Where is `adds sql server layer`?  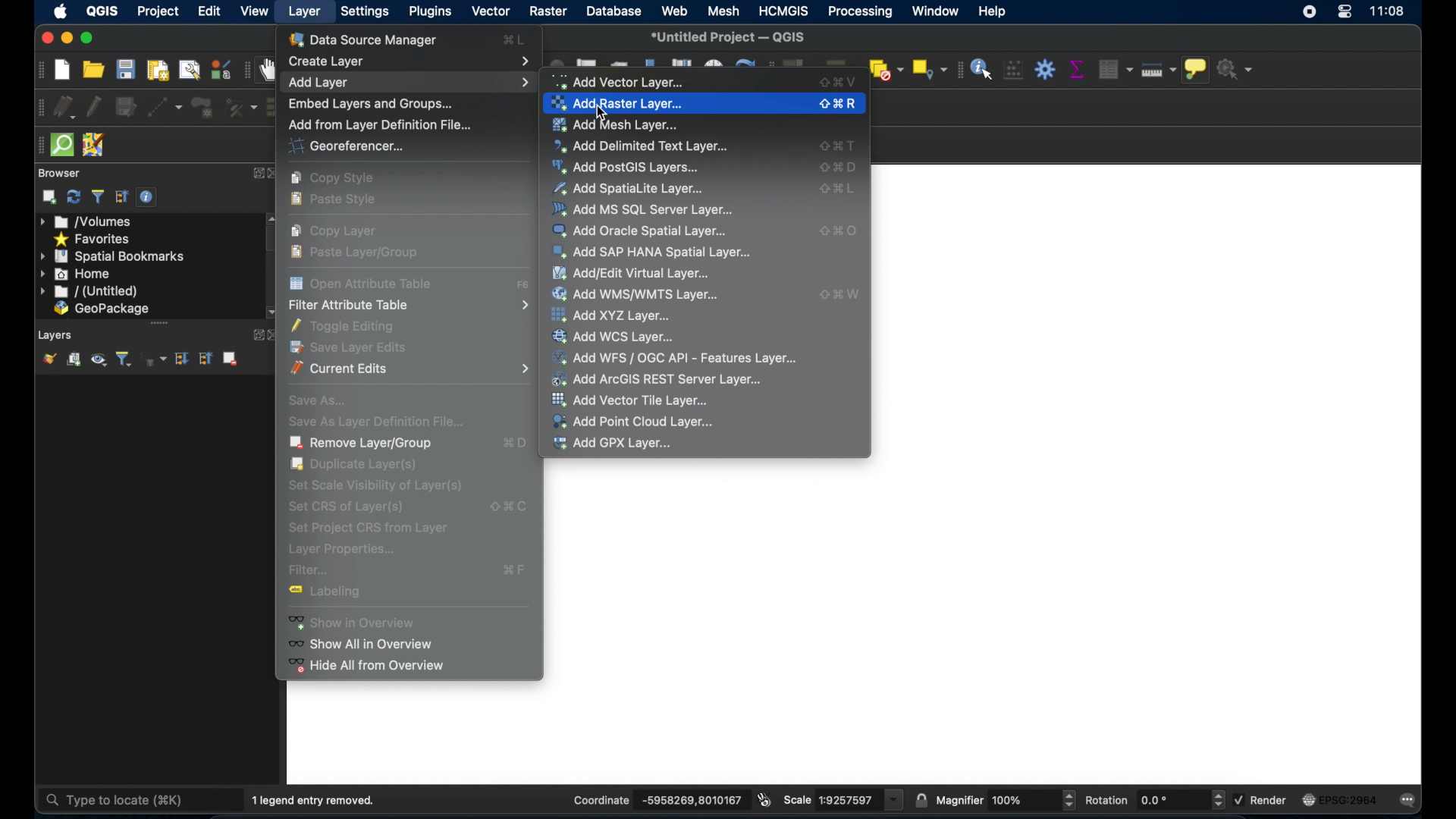
adds sql server layer is located at coordinates (644, 209).